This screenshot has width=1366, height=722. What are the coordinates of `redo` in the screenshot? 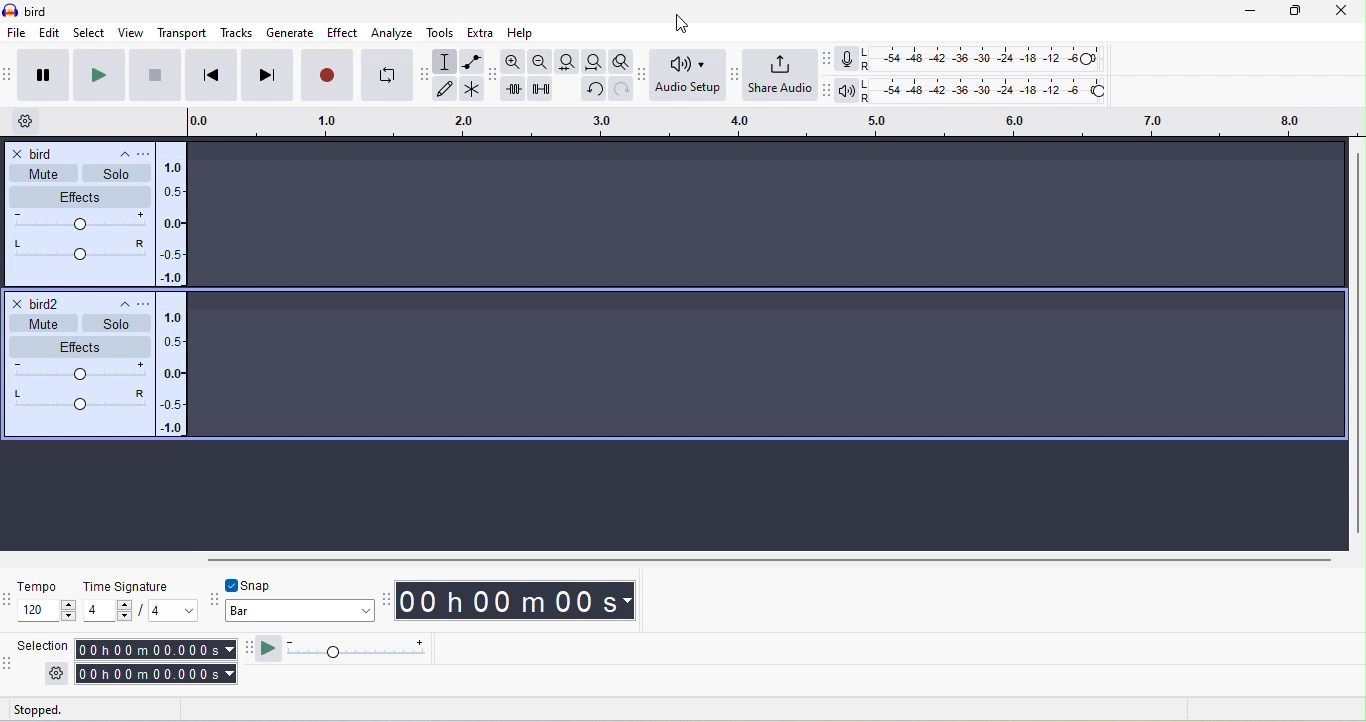 It's located at (623, 91).